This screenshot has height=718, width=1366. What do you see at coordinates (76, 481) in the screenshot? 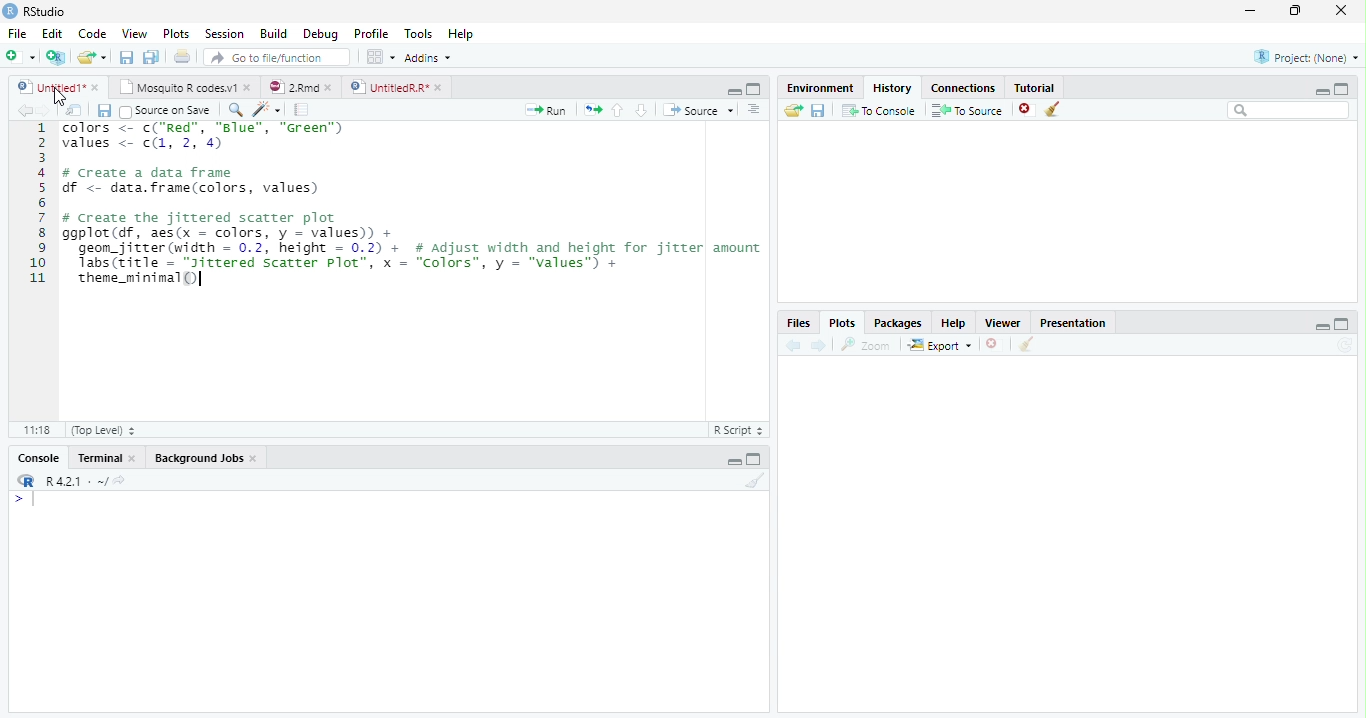
I see `R 4.2.1 . ~/` at bounding box center [76, 481].